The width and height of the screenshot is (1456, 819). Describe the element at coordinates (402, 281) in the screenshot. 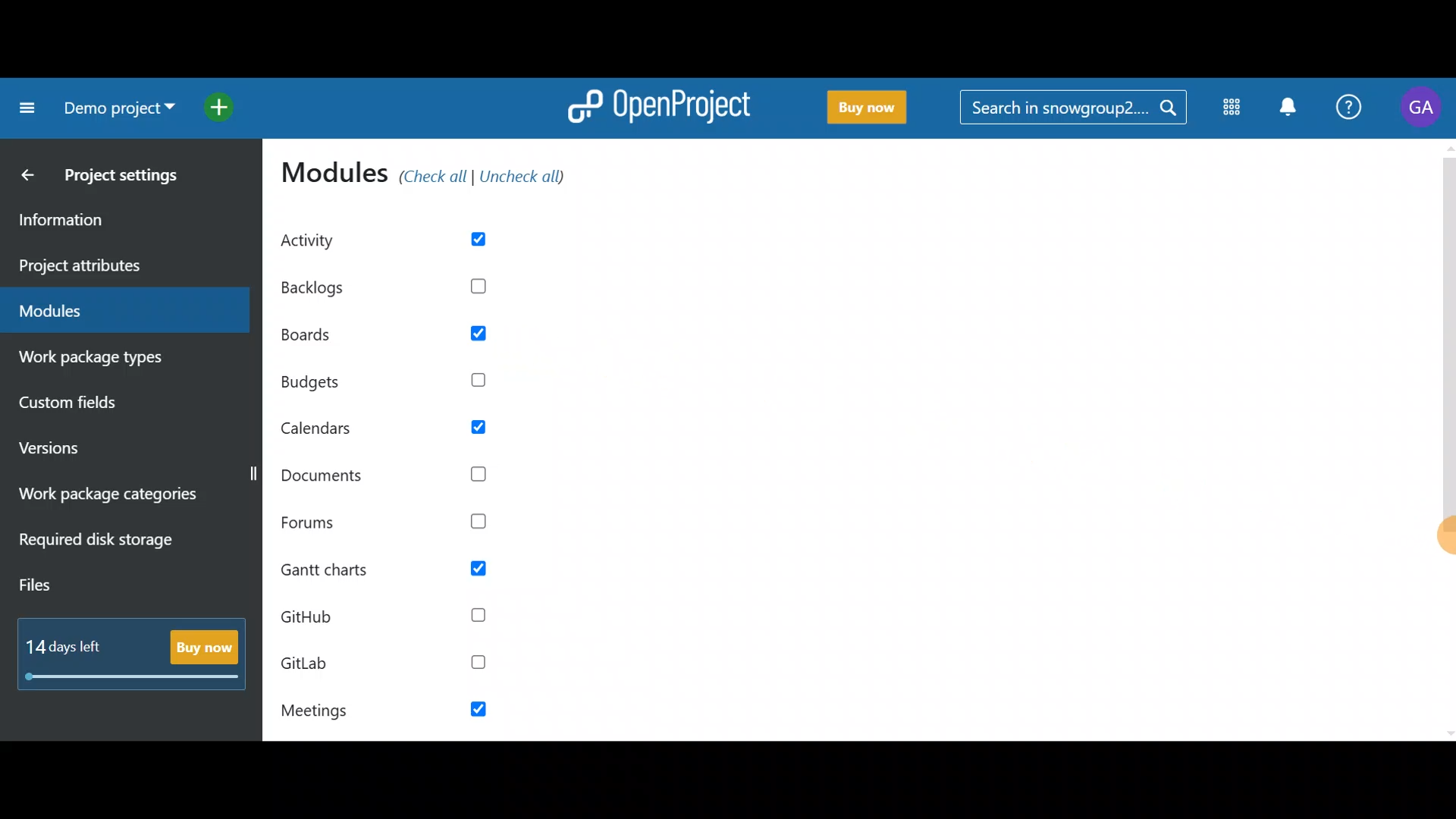

I see `Backlogs` at that location.